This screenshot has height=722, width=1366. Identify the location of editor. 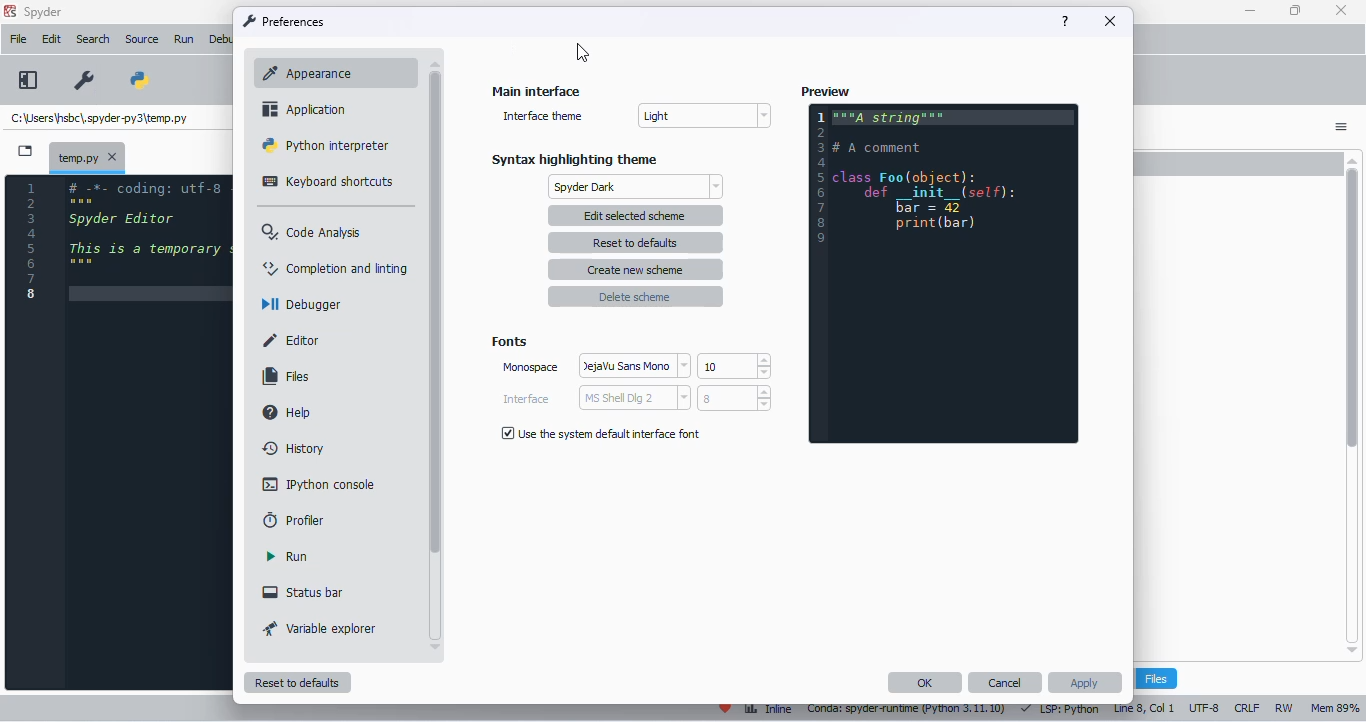
(291, 340).